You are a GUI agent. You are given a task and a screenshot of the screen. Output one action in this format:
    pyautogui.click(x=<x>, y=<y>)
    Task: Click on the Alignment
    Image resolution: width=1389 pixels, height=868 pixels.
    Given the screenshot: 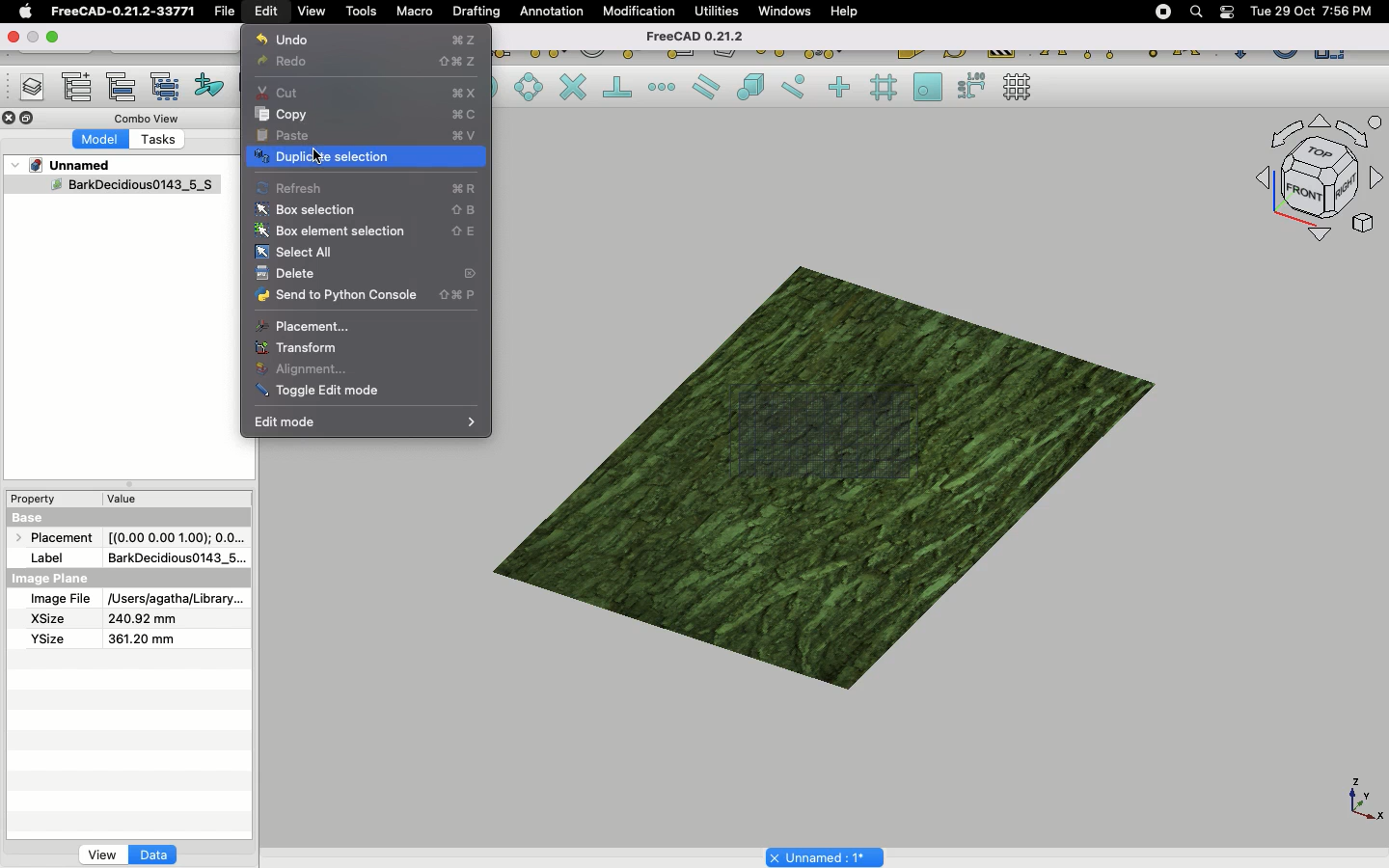 What is the action you would take?
    pyautogui.click(x=305, y=370)
    